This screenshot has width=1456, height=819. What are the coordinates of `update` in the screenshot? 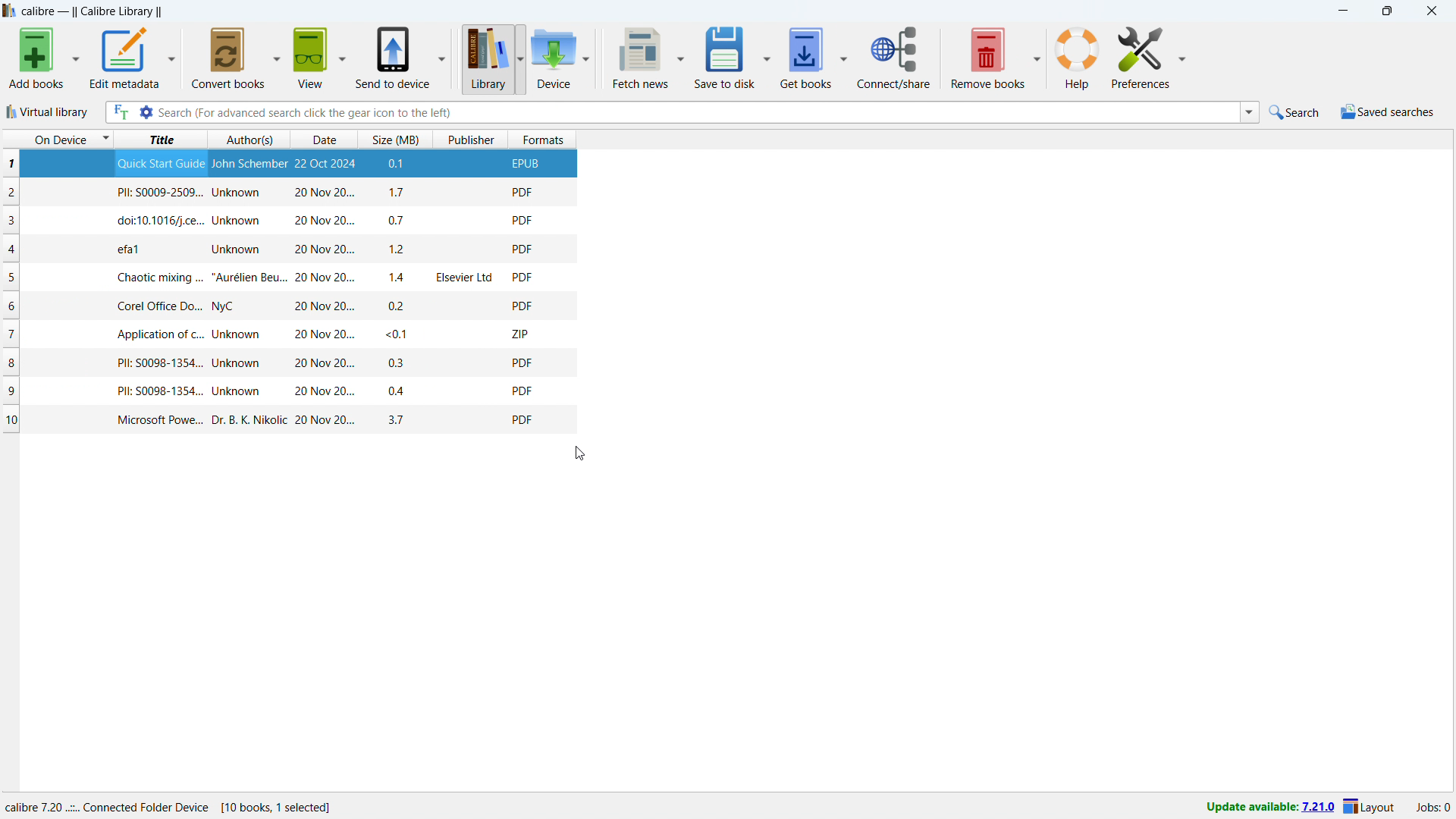 It's located at (1268, 809).